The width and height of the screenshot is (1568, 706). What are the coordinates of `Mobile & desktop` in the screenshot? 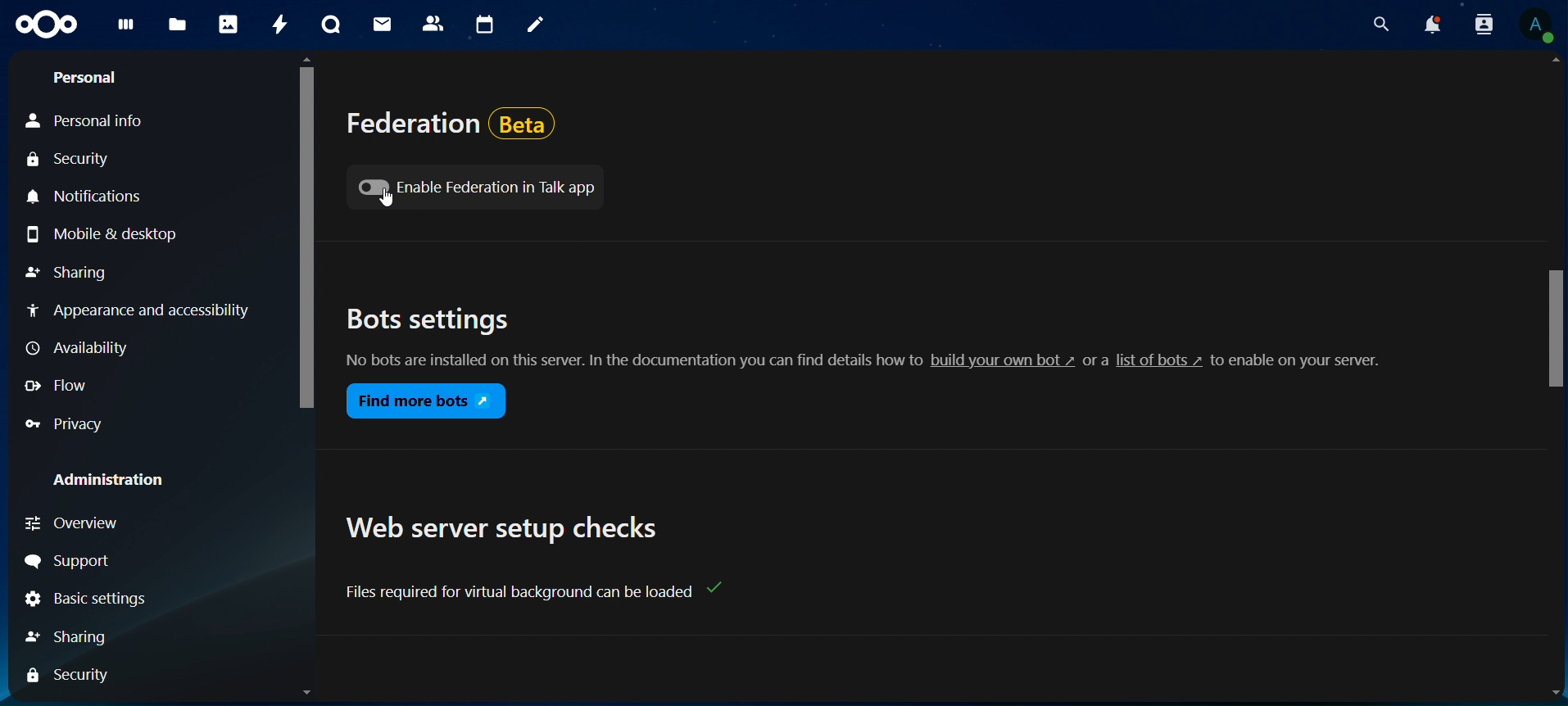 It's located at (115, 237).